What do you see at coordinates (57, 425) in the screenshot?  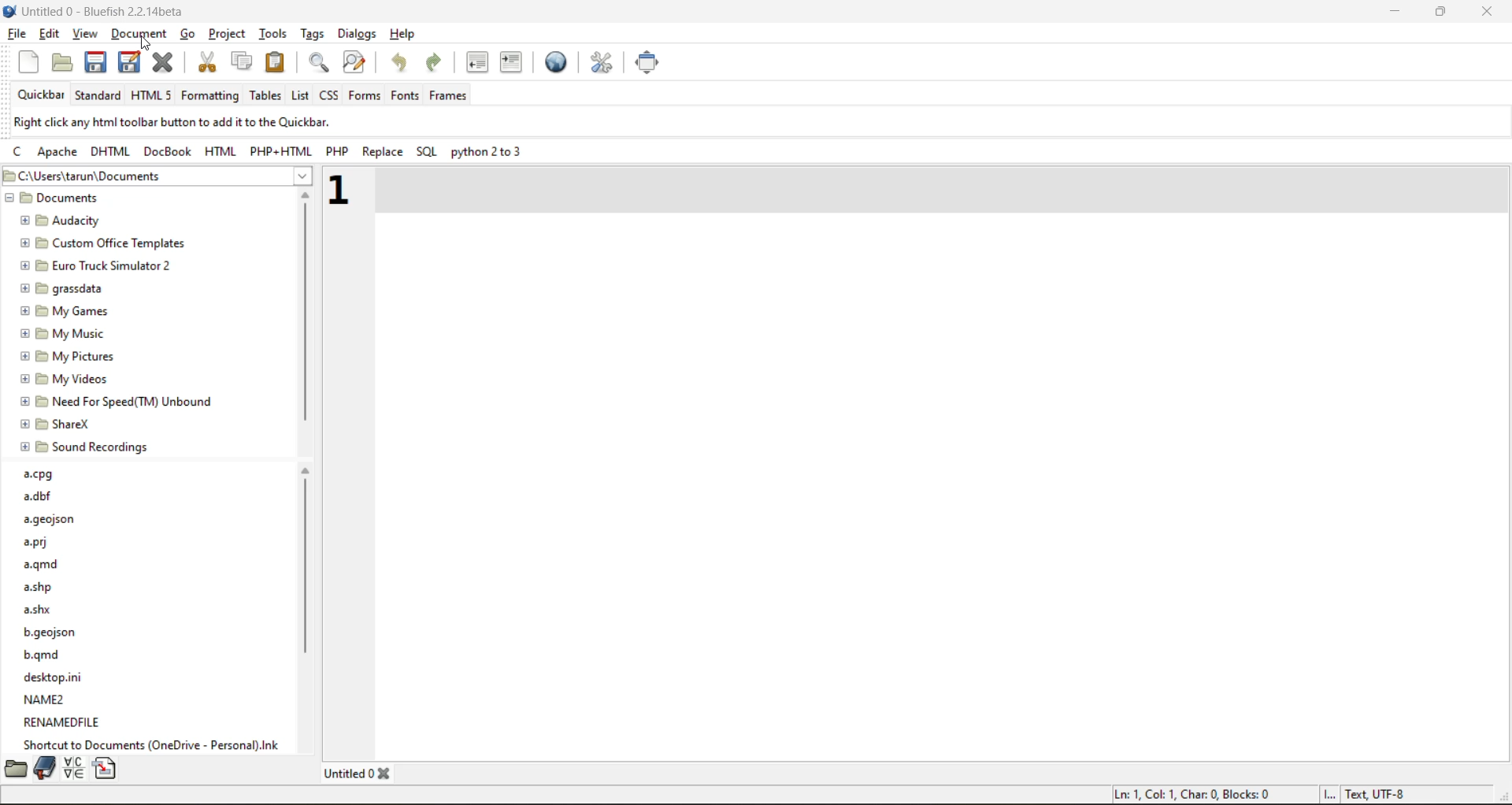 I see `sharex` at bounding box center [57, 425].